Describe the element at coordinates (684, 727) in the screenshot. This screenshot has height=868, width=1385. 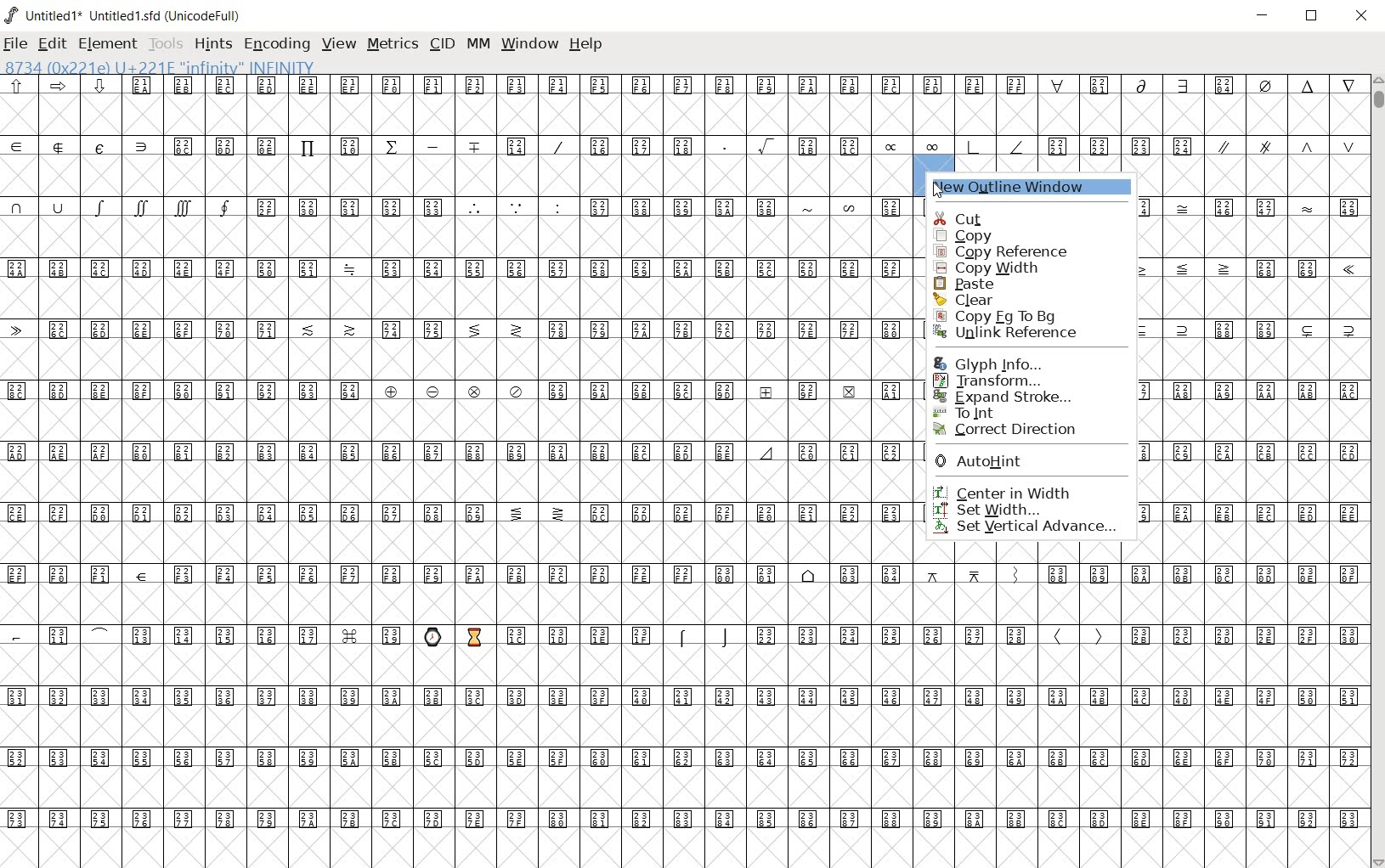
I see `empty glyph slots` at that location.